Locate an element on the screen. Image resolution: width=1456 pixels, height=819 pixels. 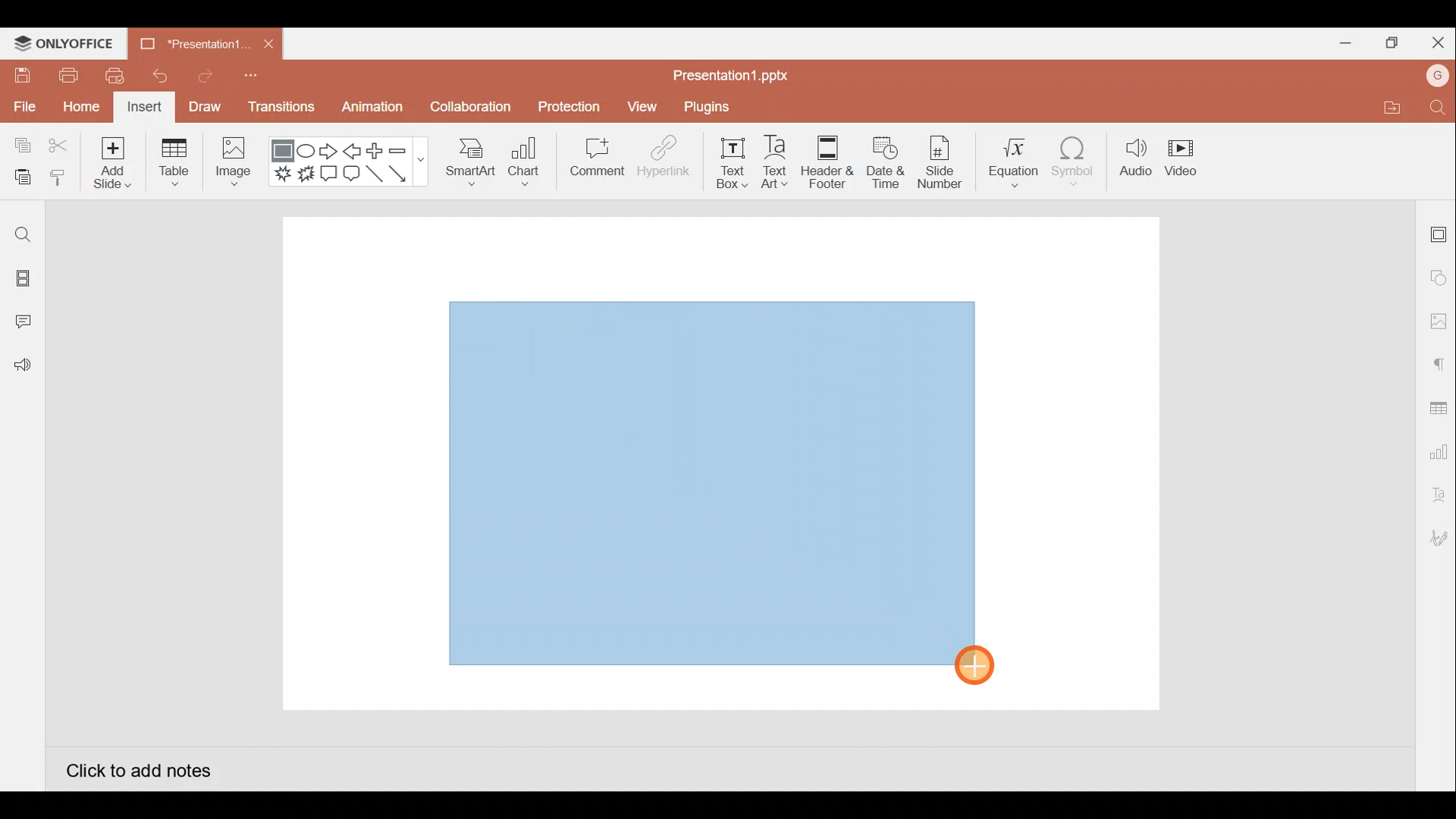
Home is located at coordinates (81, 108).